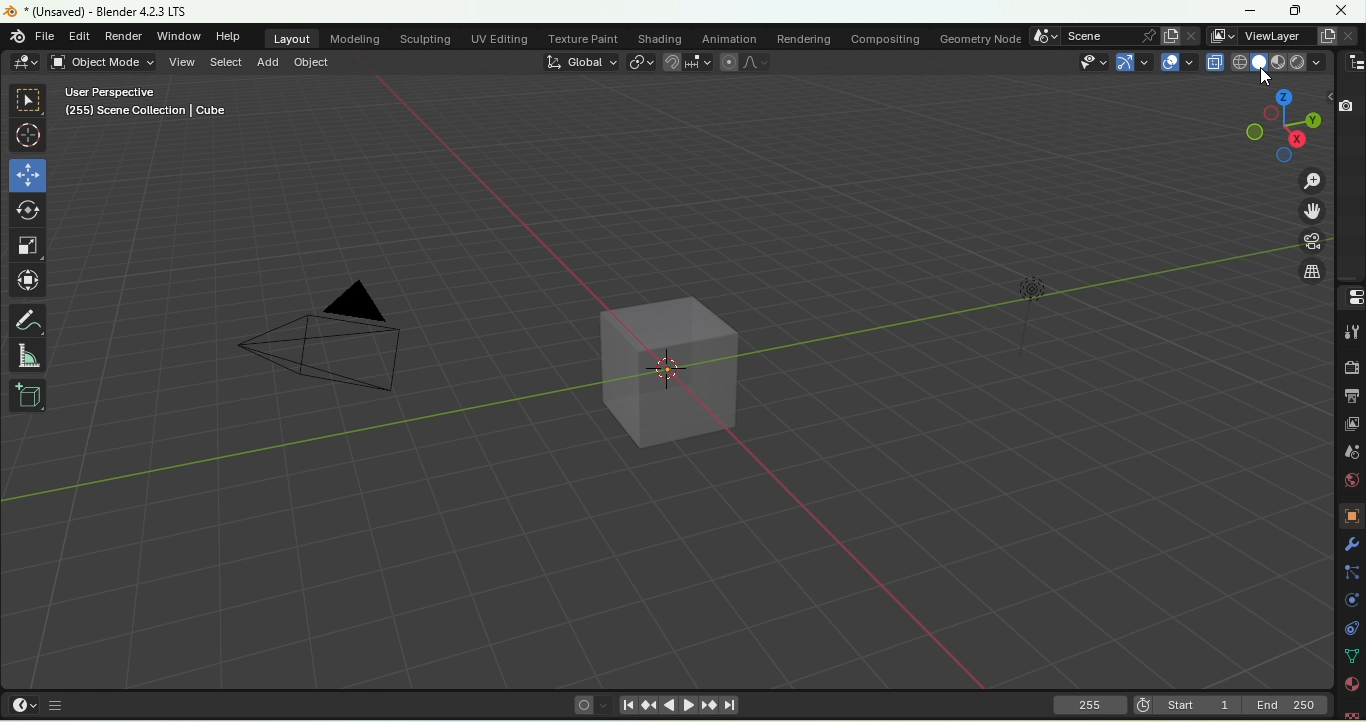 The height and width of the screenshot is (722, 1366). Describe the element at coordinates (28, 210) in the screenshot. I see `Rotate` at that location.